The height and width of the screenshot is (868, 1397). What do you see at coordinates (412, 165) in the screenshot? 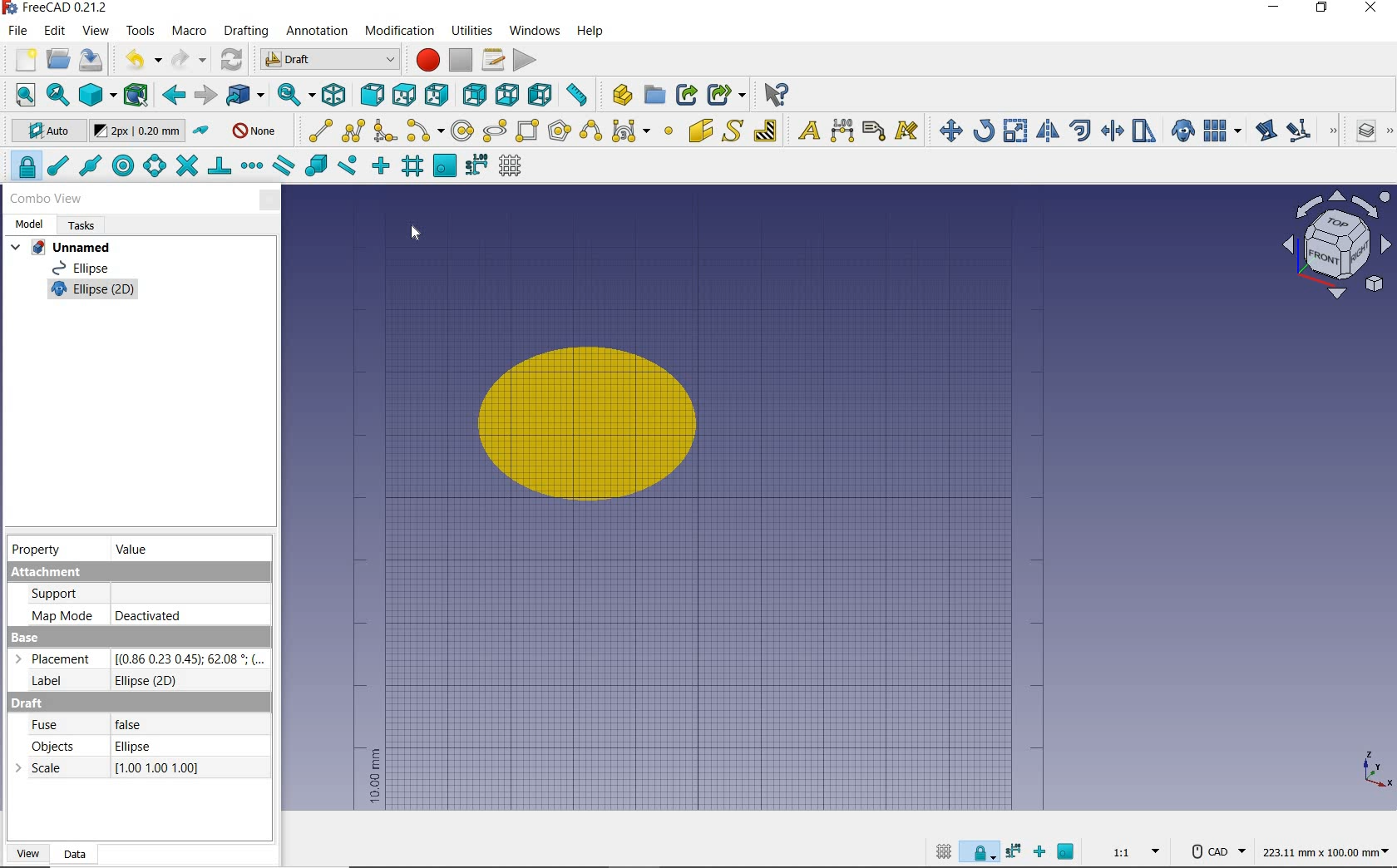
I see `snap grid` at bounding box center [412, 165].